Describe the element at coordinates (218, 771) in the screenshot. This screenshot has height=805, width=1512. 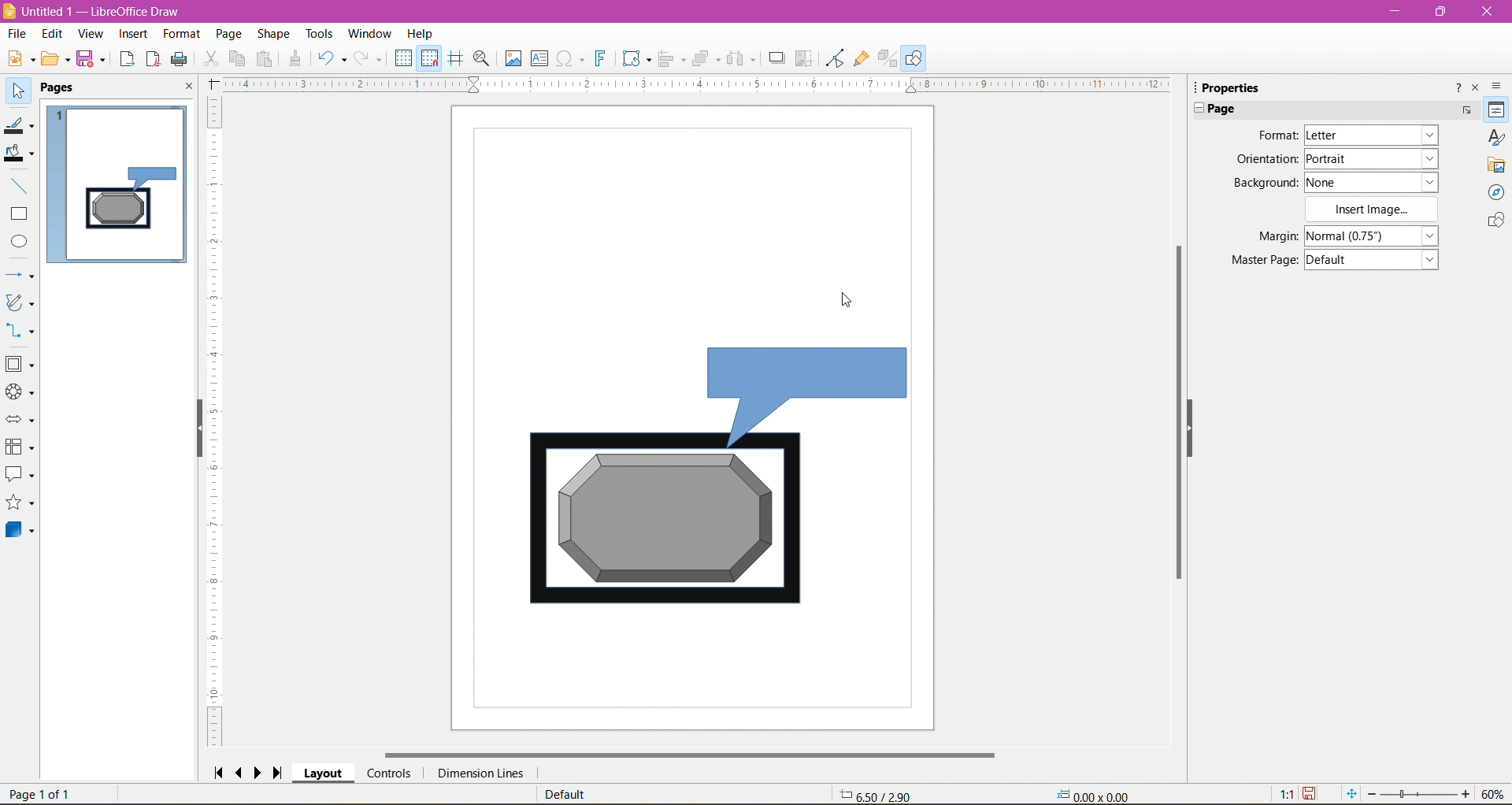
I see `Scroll to first page` at that location.